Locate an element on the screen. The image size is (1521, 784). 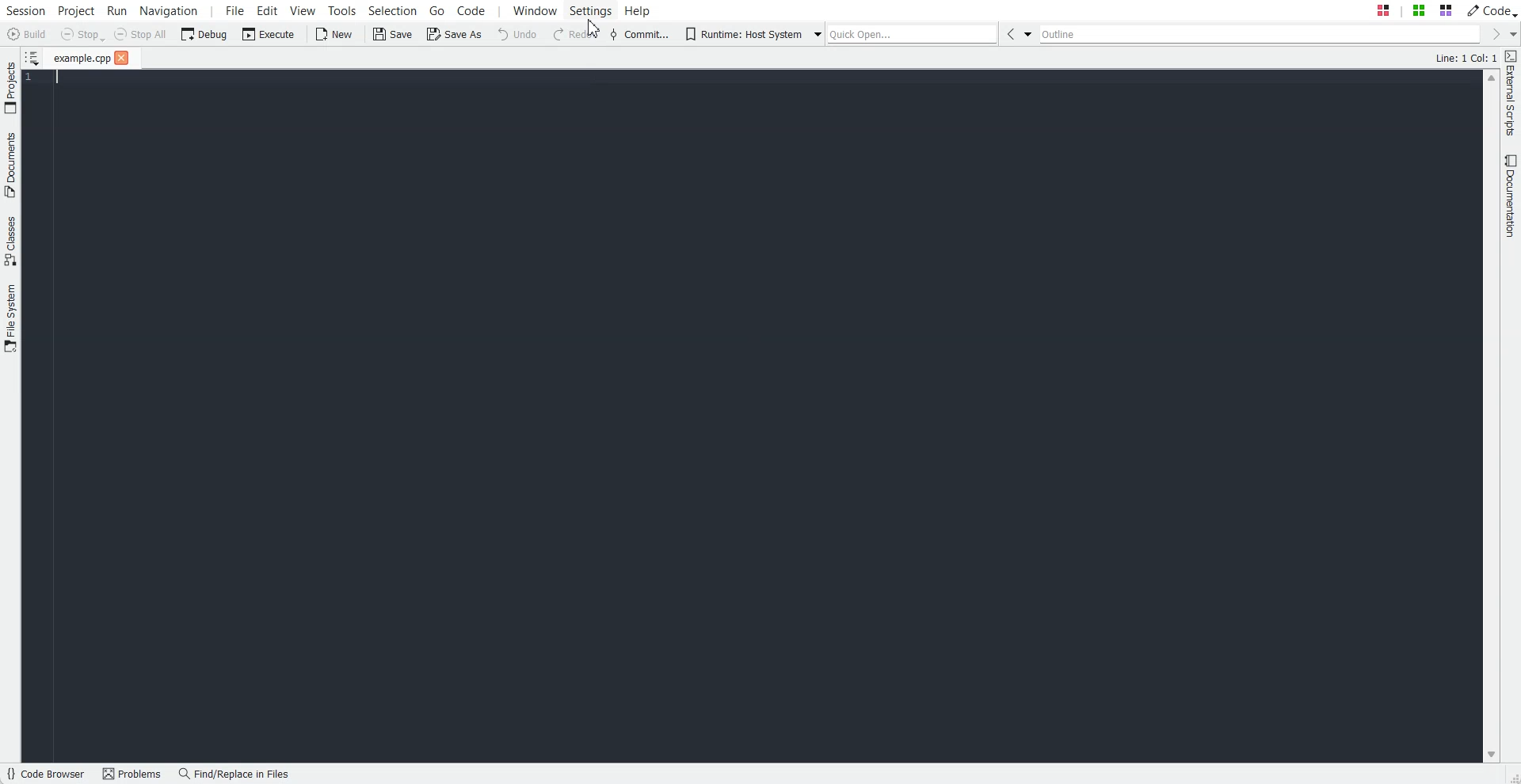
Code Browser is located at coordinates (48, 774).